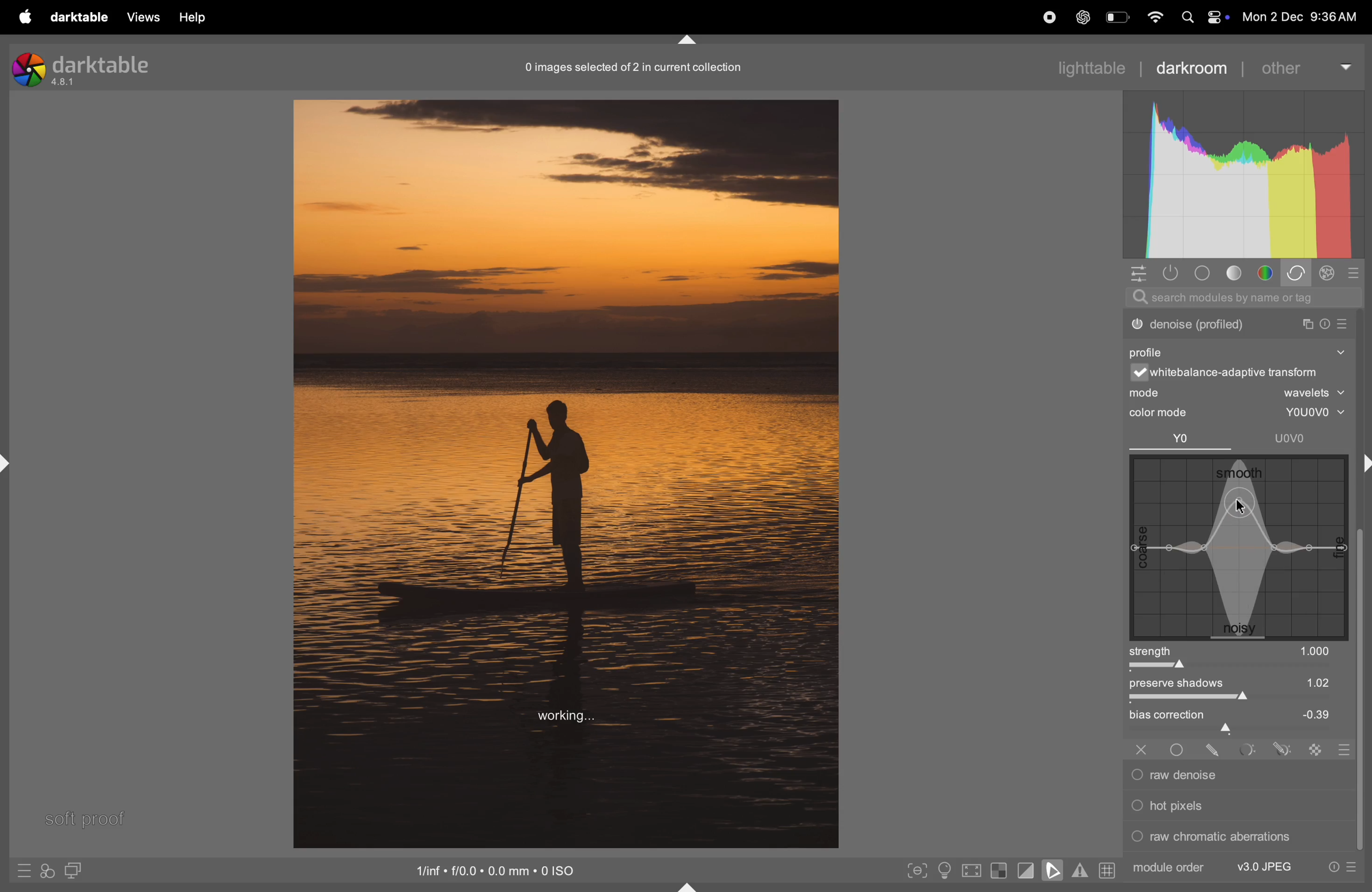 The width and height of the screenshot is (1372, 892). Describe the element at coordinates (1153, 651) in the screenshot. I see `strength` at that location.